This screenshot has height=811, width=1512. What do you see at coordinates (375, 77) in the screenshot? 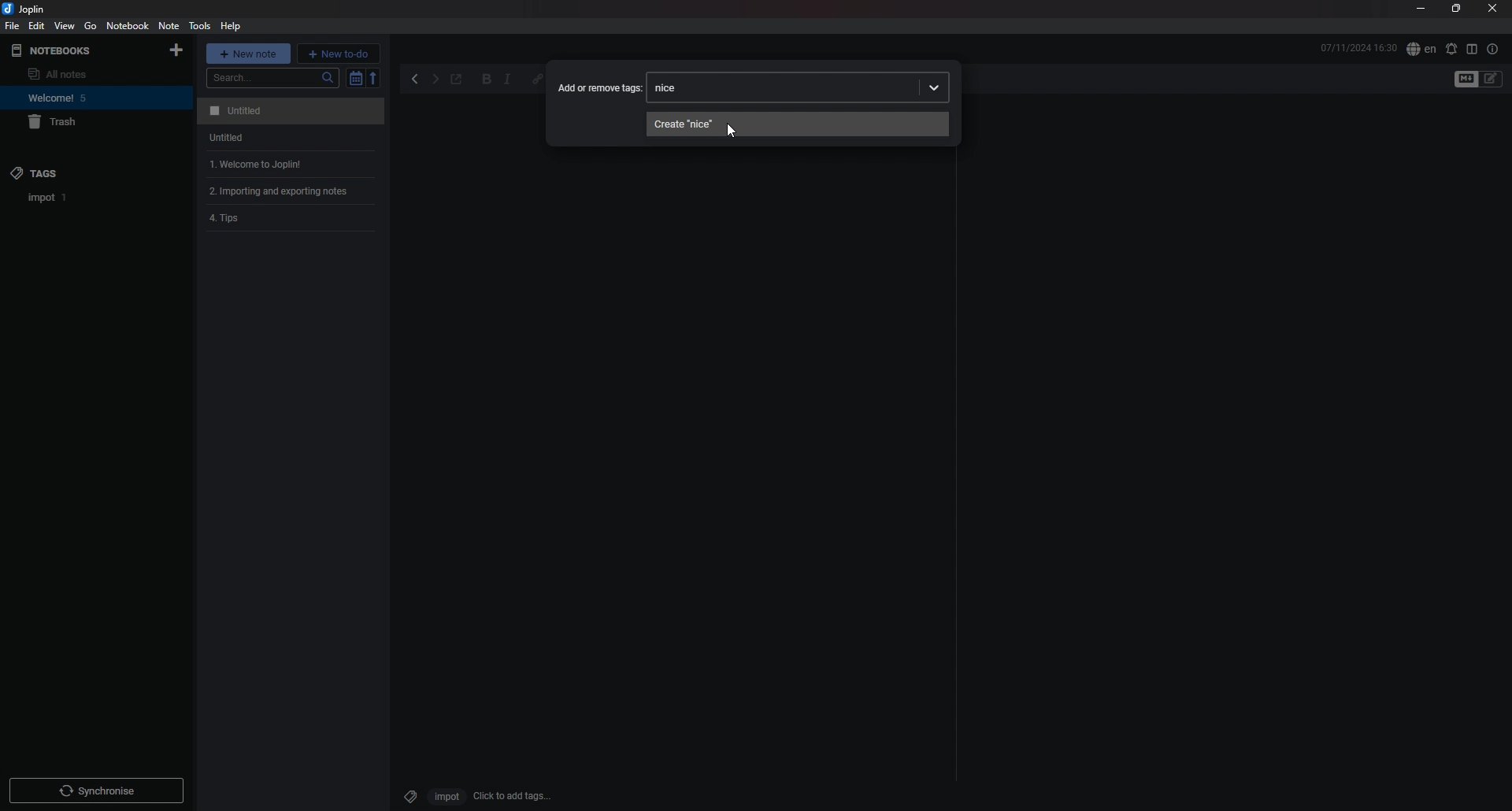
I see `reverse sort order` at bounding box center [375, 77].